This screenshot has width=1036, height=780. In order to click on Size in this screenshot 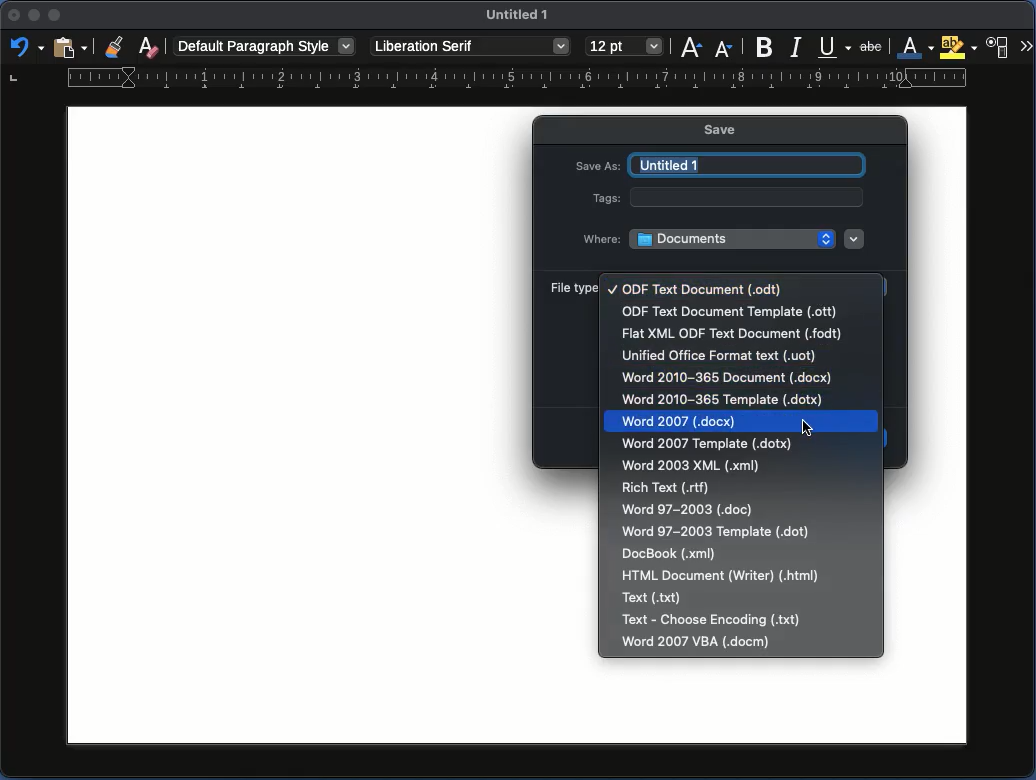, I will do `click(624, 47)`.